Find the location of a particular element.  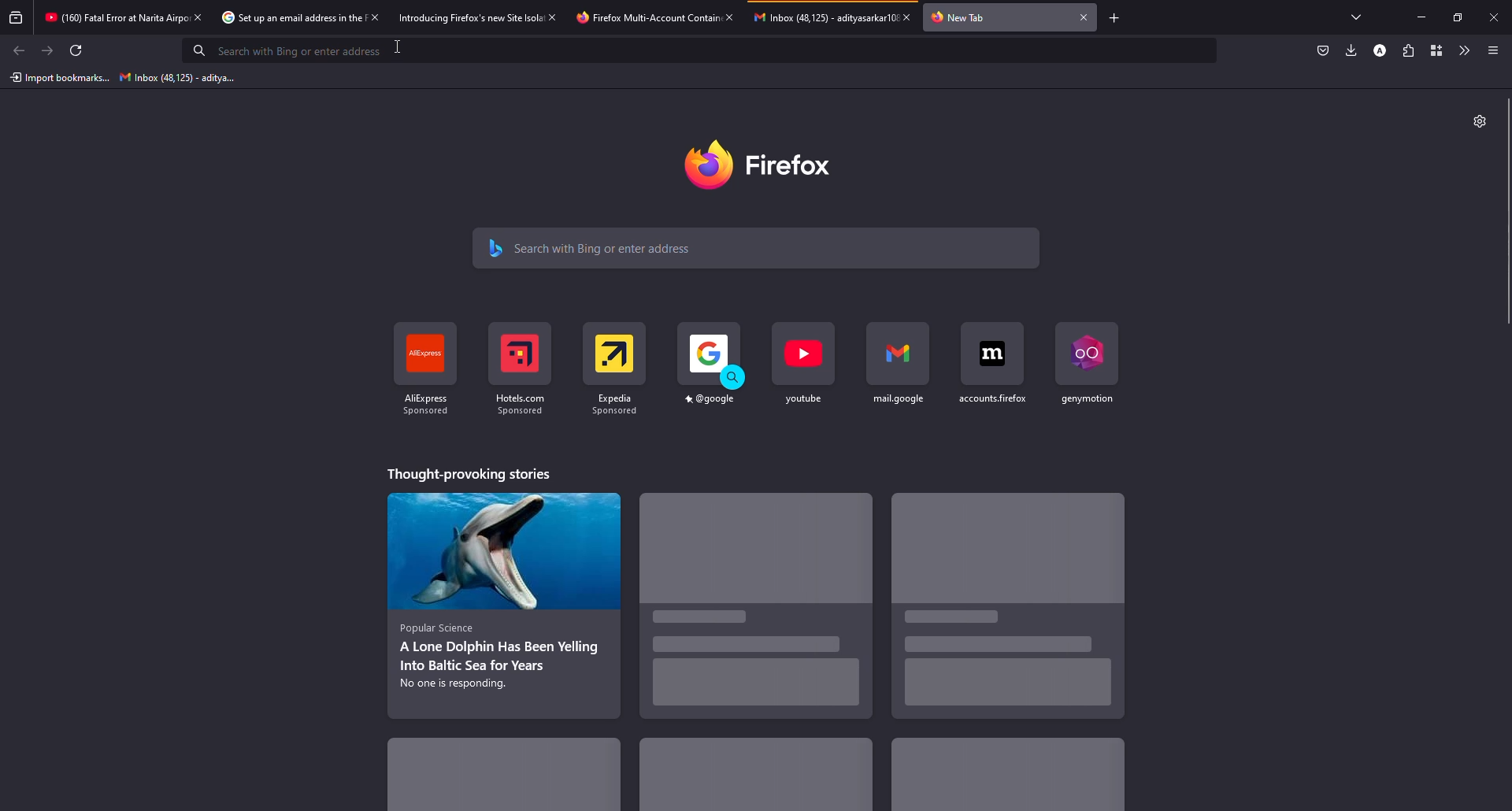

extensions is located at coordinates (1408, 50).